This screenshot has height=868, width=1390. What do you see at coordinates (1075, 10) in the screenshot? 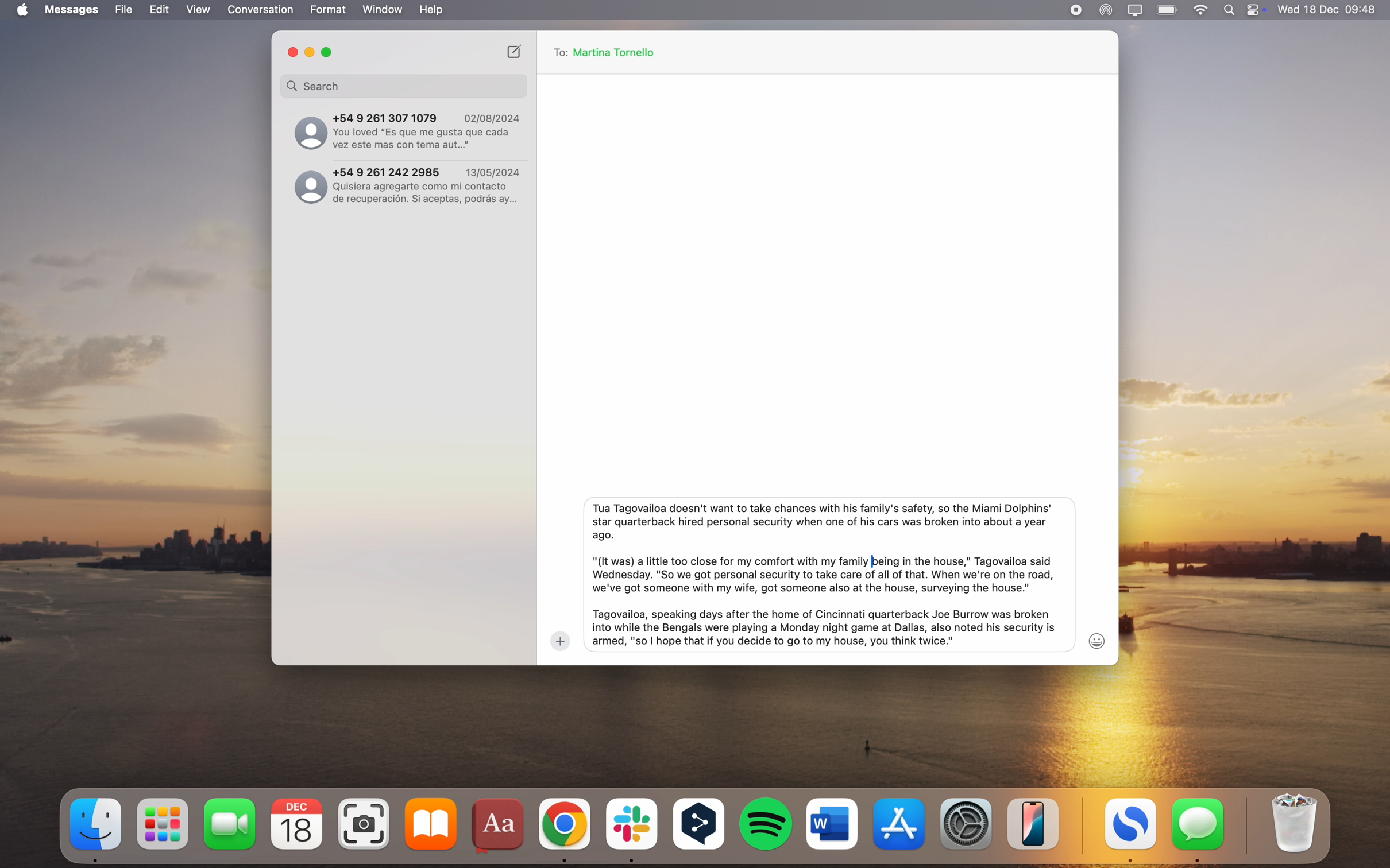
I see `stop recording` at bounding box center [1075, 10].